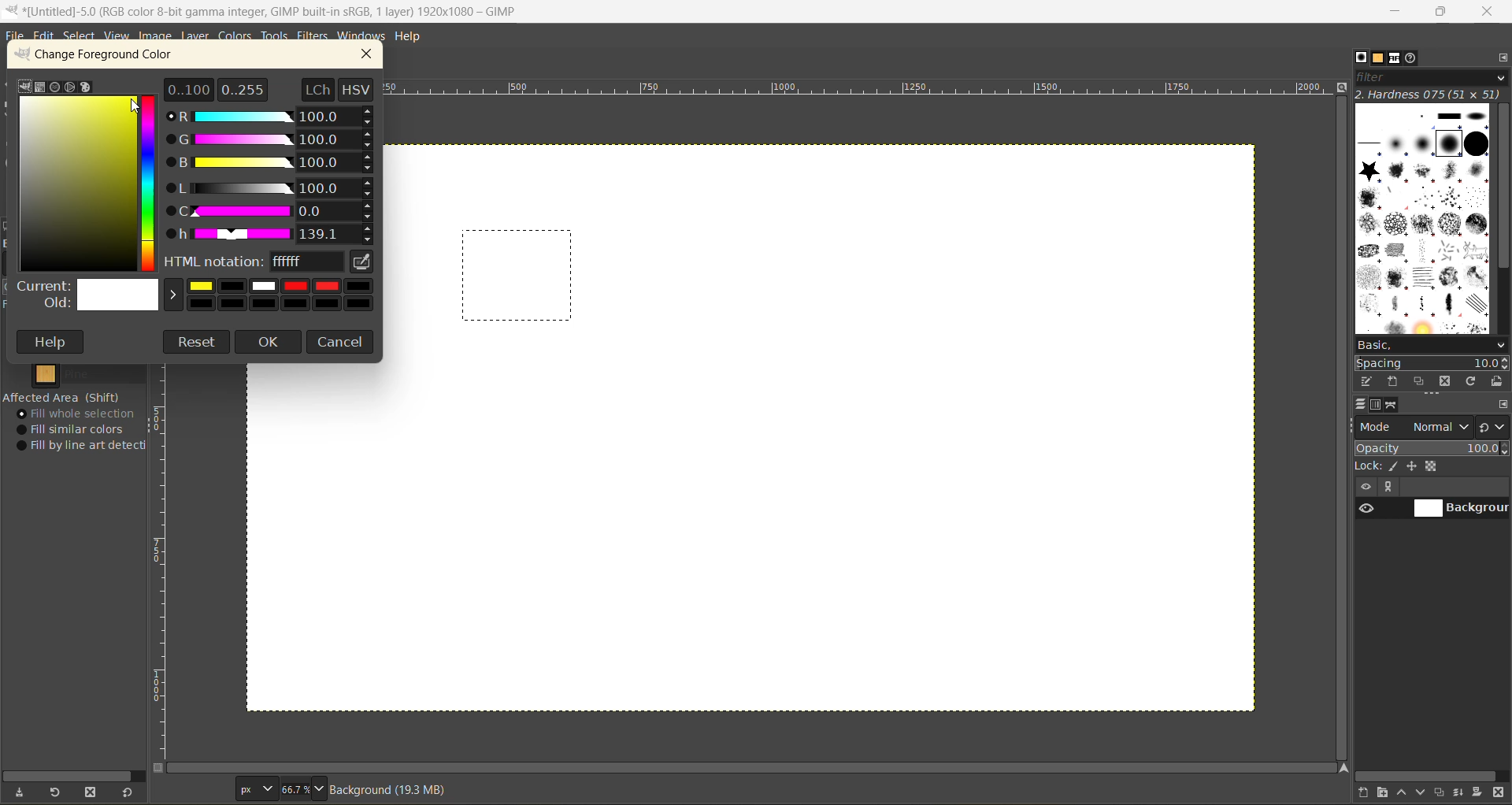 Image resolution: width=1512 pixels, height=805 pixels. Describe the element at coordinates (413, 35) in the screenshot. I see `help` at that location.